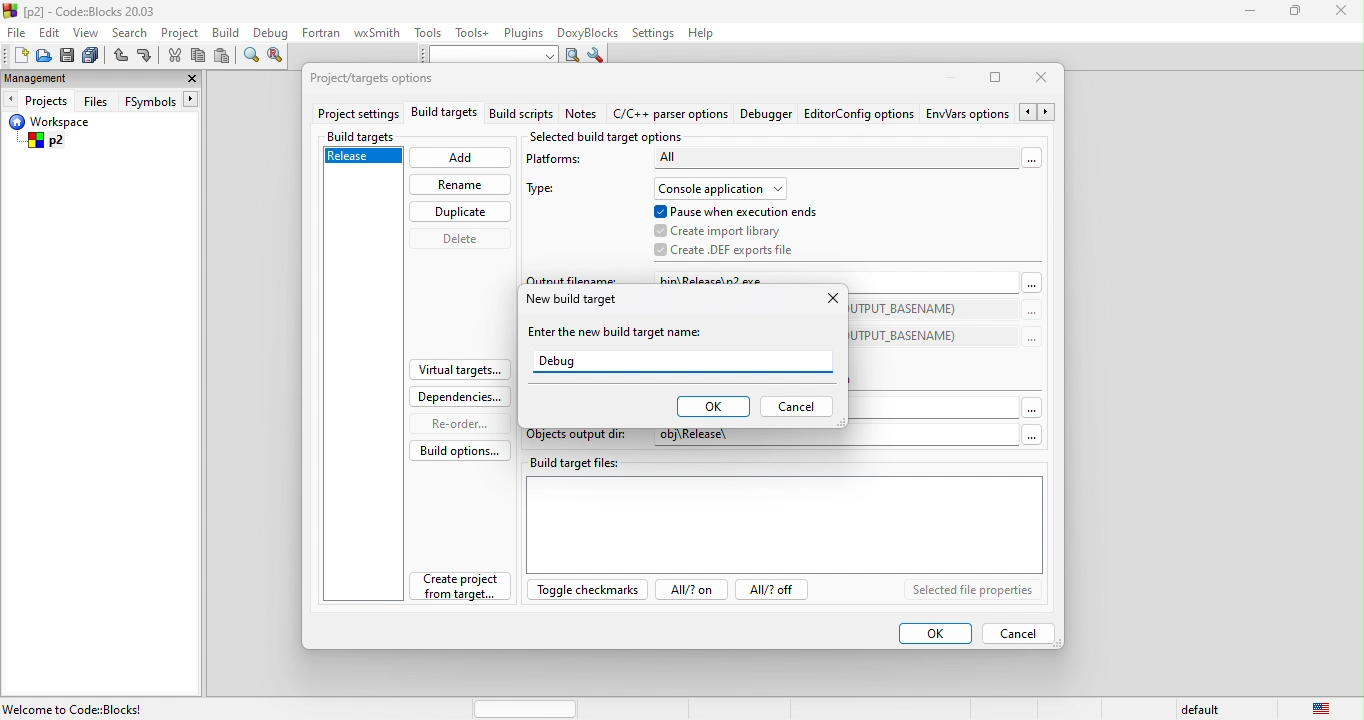  I want to click on project, so click(182, 33).